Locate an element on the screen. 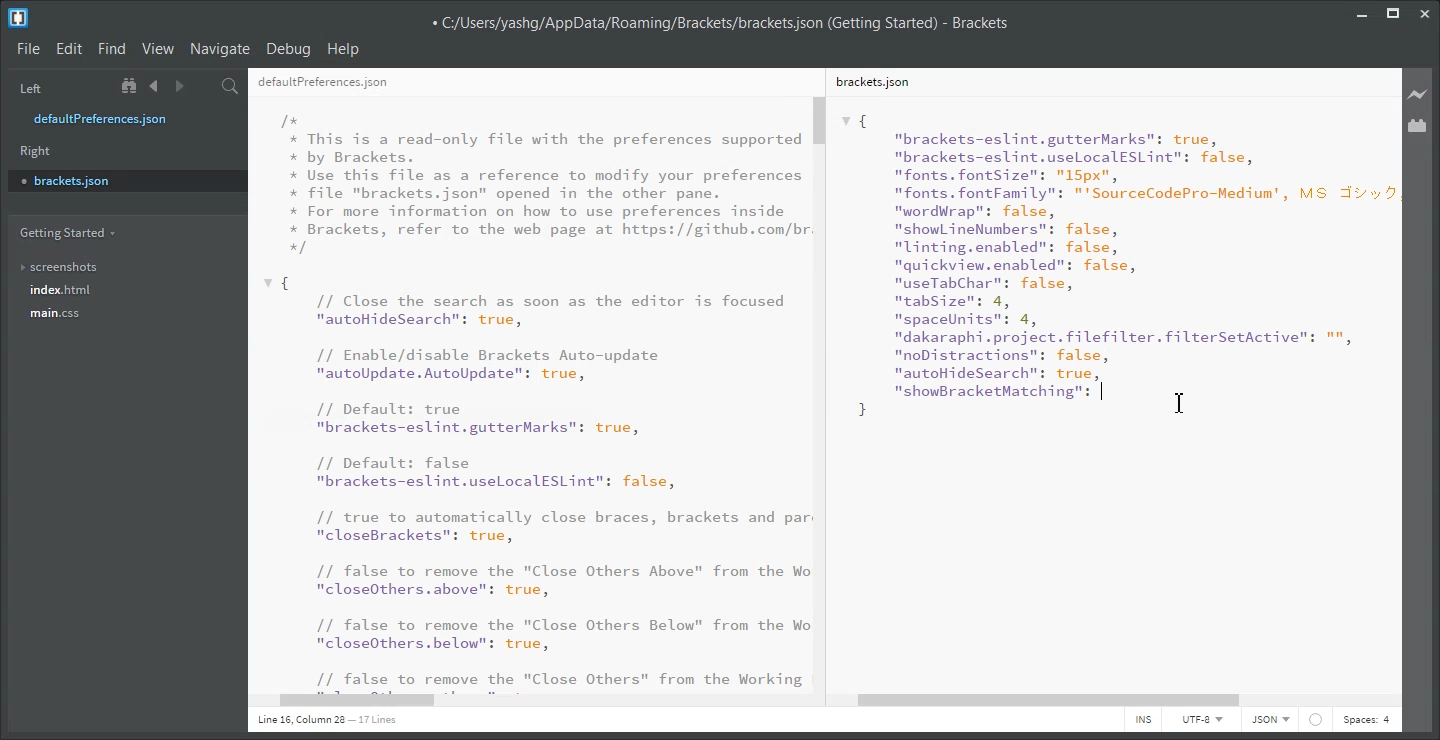 The height and width of the screenshot is (740, 1440). main.css is located at coordinates (58, 313).